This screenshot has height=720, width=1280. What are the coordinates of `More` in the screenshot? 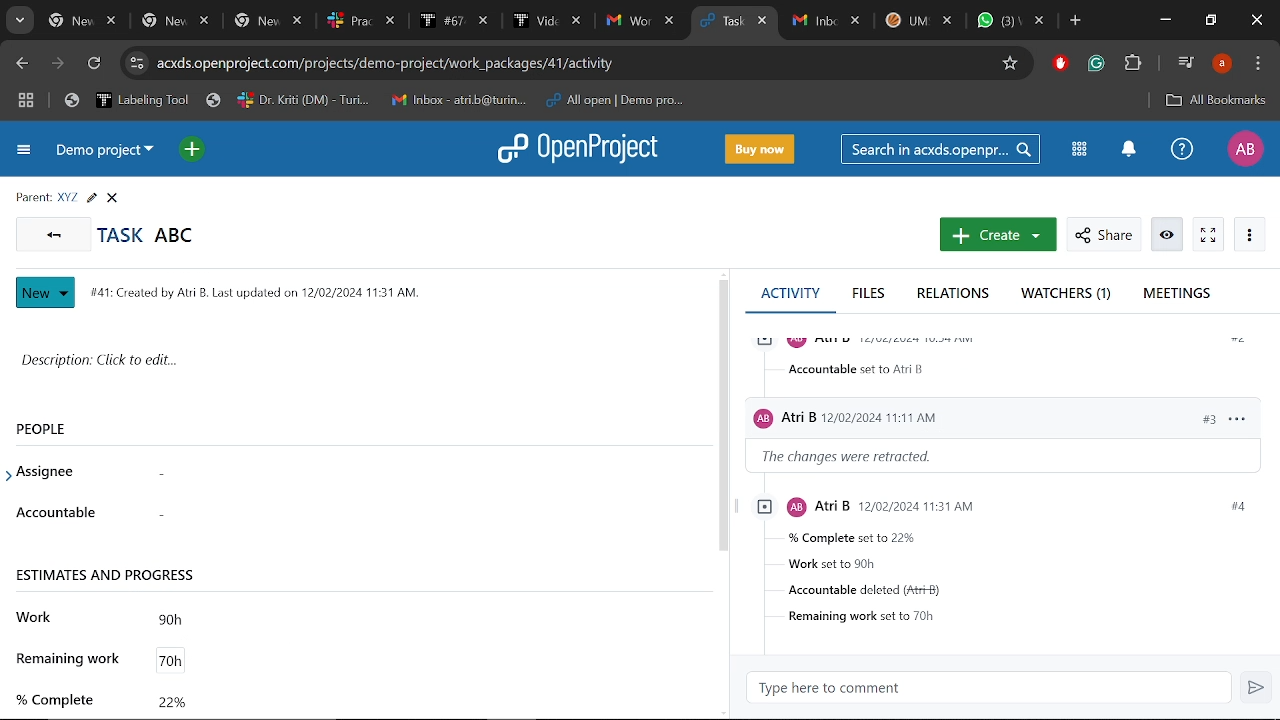 It's located at (1250, 235).